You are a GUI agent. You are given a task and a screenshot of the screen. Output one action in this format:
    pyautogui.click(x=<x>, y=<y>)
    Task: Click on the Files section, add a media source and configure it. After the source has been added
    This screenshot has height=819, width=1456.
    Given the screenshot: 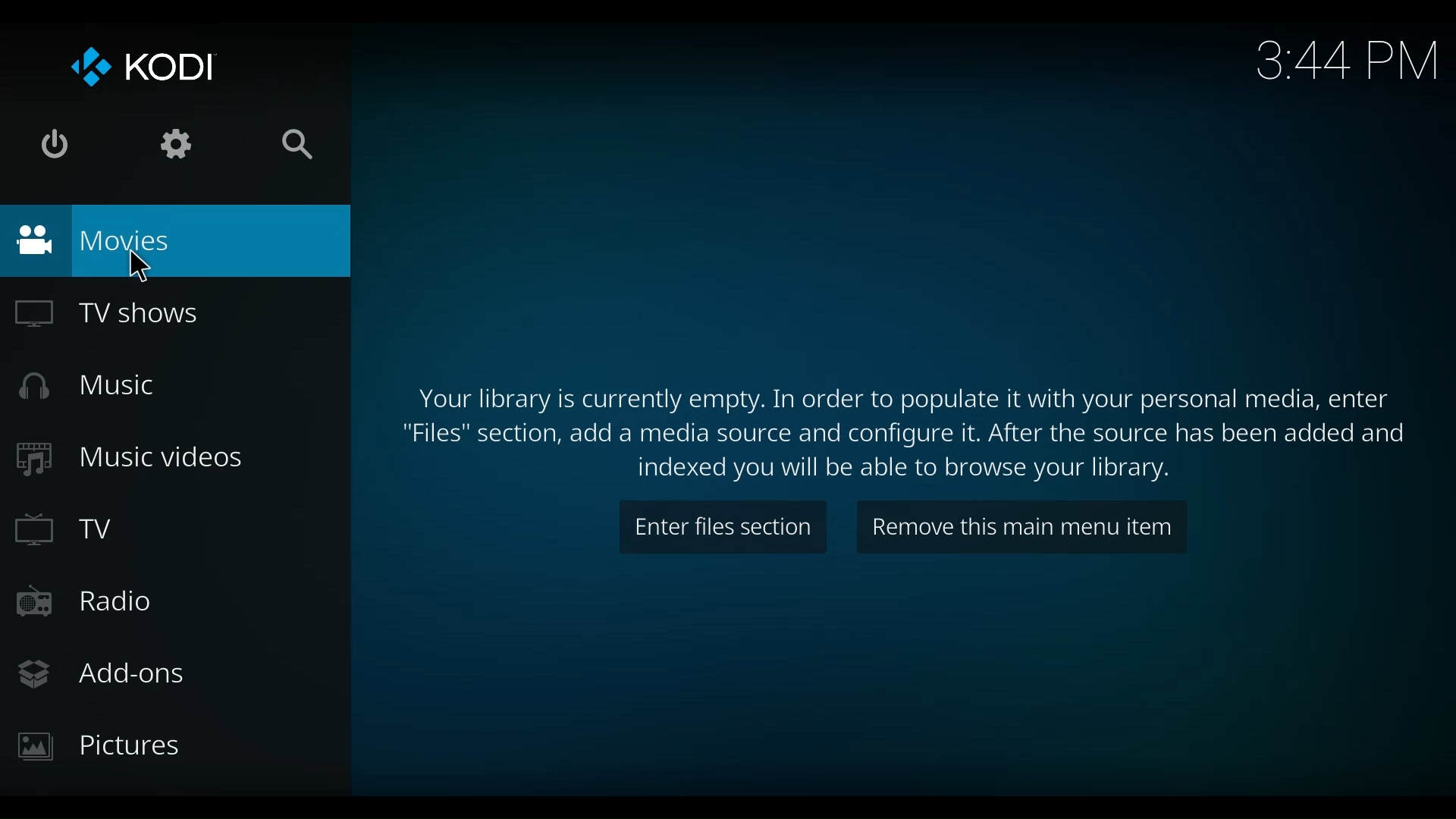 What is the action you would take?
    pyautogui.click(x=905, y=434)
    